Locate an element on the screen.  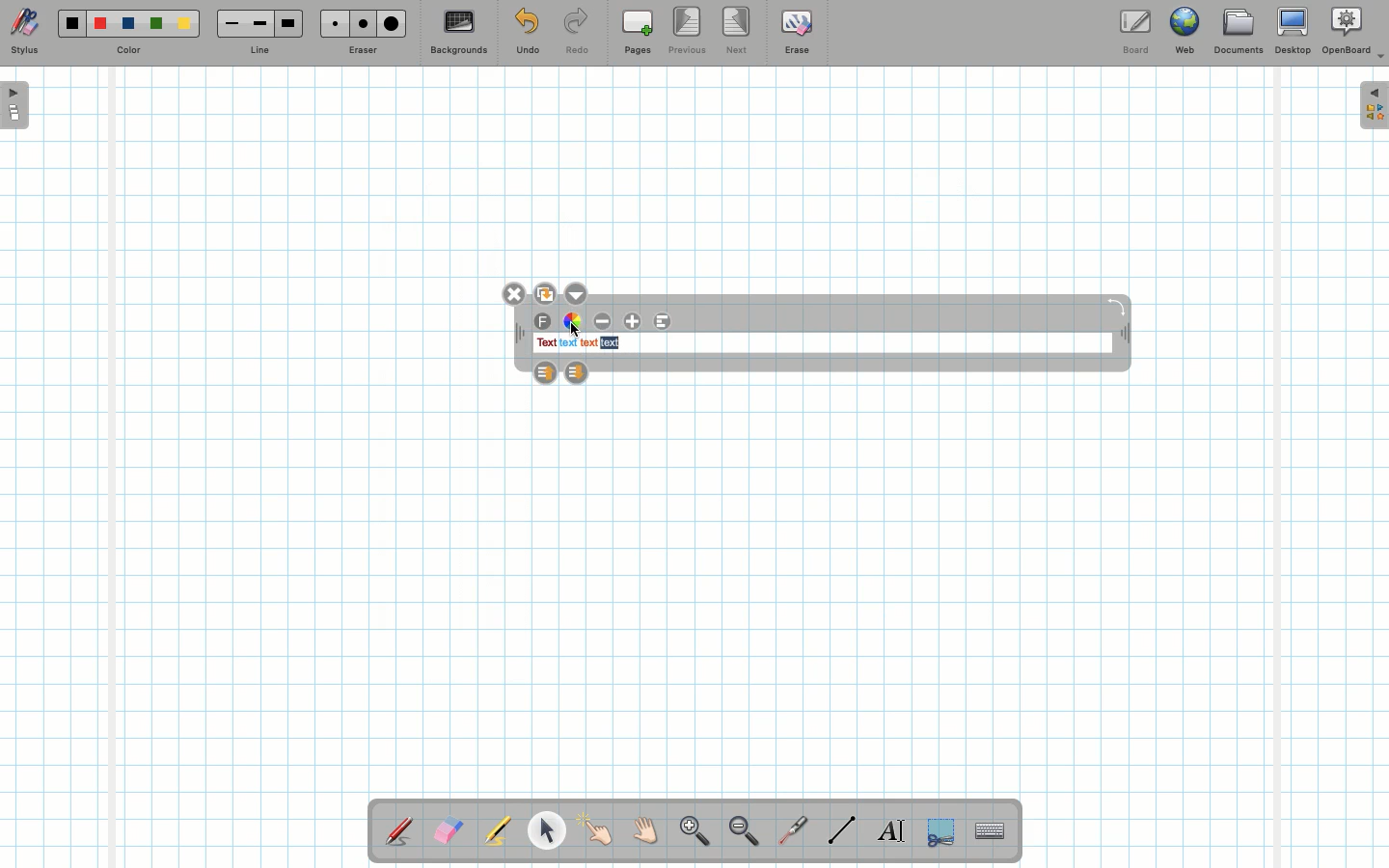
Rotate is located at coordinates (1116, 306).